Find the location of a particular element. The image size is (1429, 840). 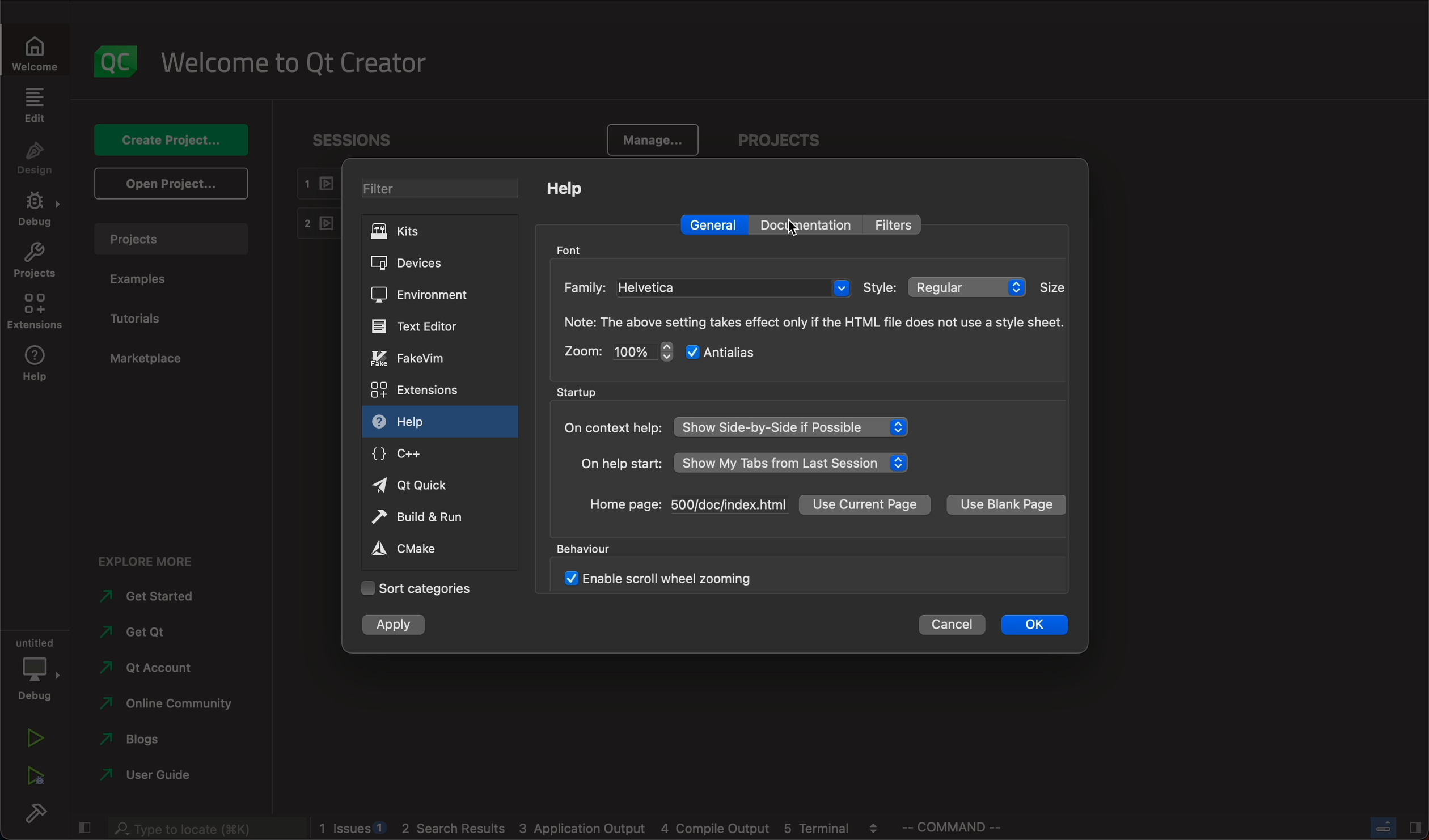

behavior is located at coordinates (597, 550).